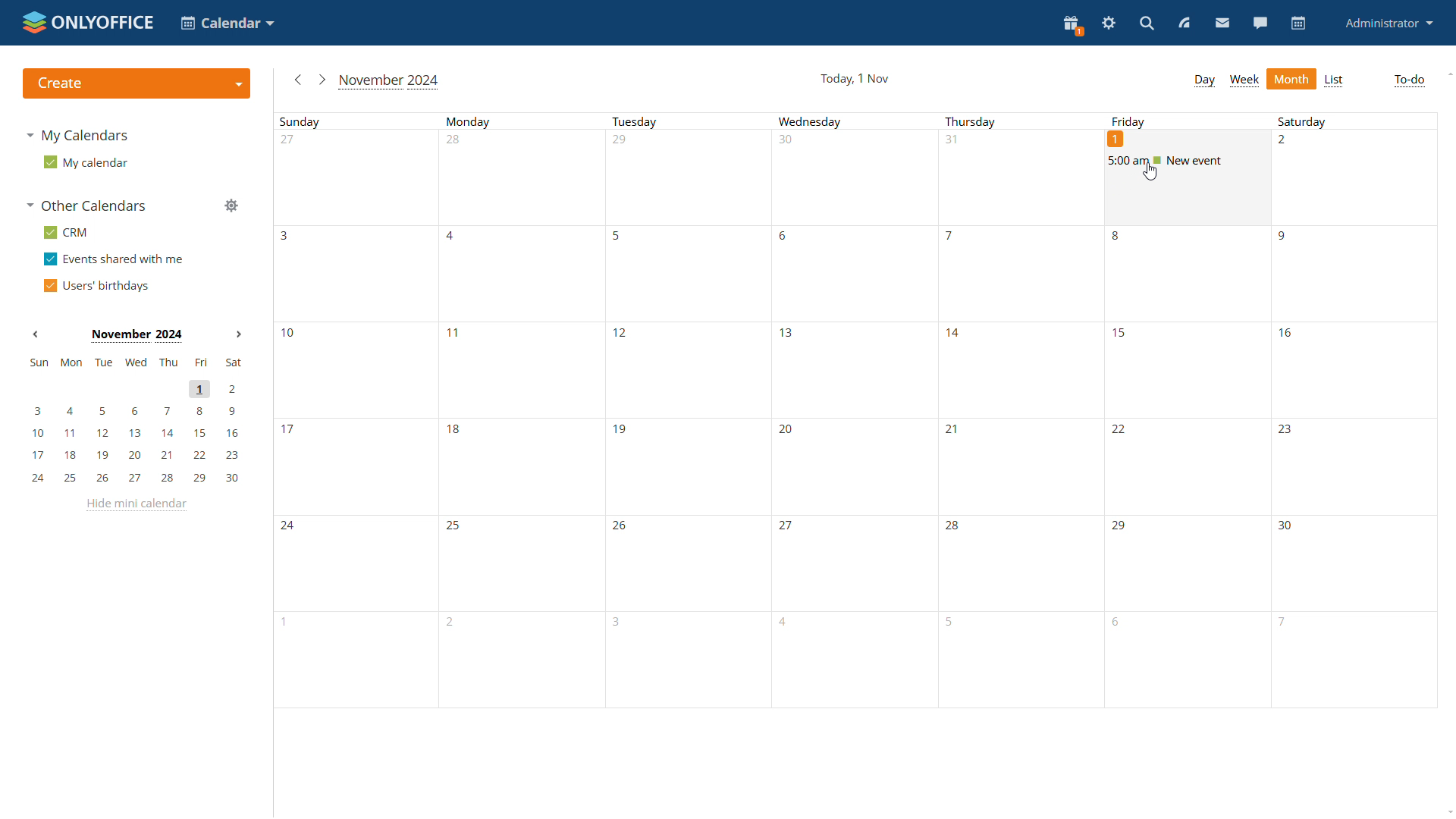 The image size is (1456, 819). Describe the element at coordinates (1072, 26) in the screenshot. I see `present` at that location.